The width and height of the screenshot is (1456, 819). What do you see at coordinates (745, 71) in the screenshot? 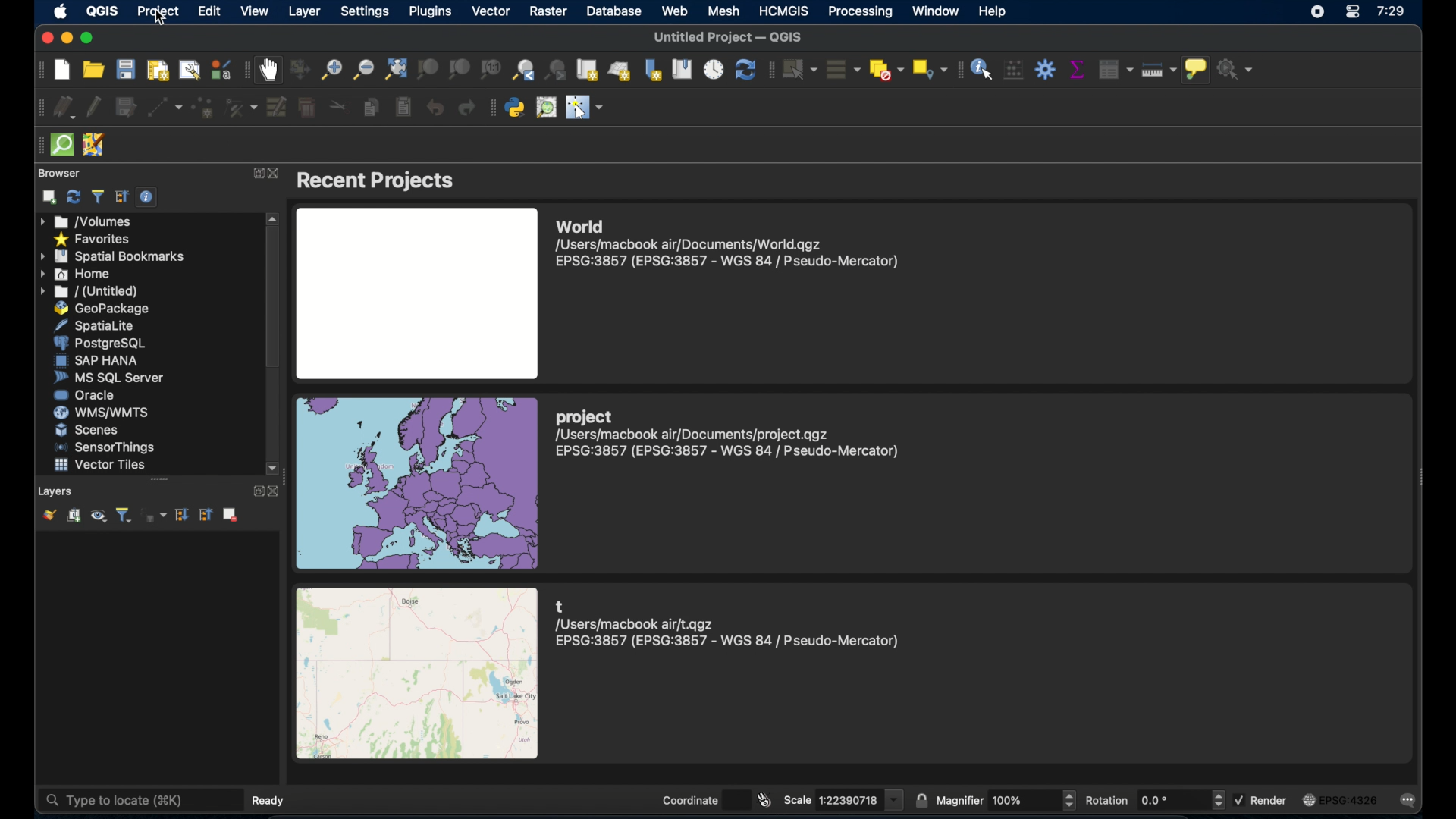
I see `refresh` at bounding box center [745, 71].